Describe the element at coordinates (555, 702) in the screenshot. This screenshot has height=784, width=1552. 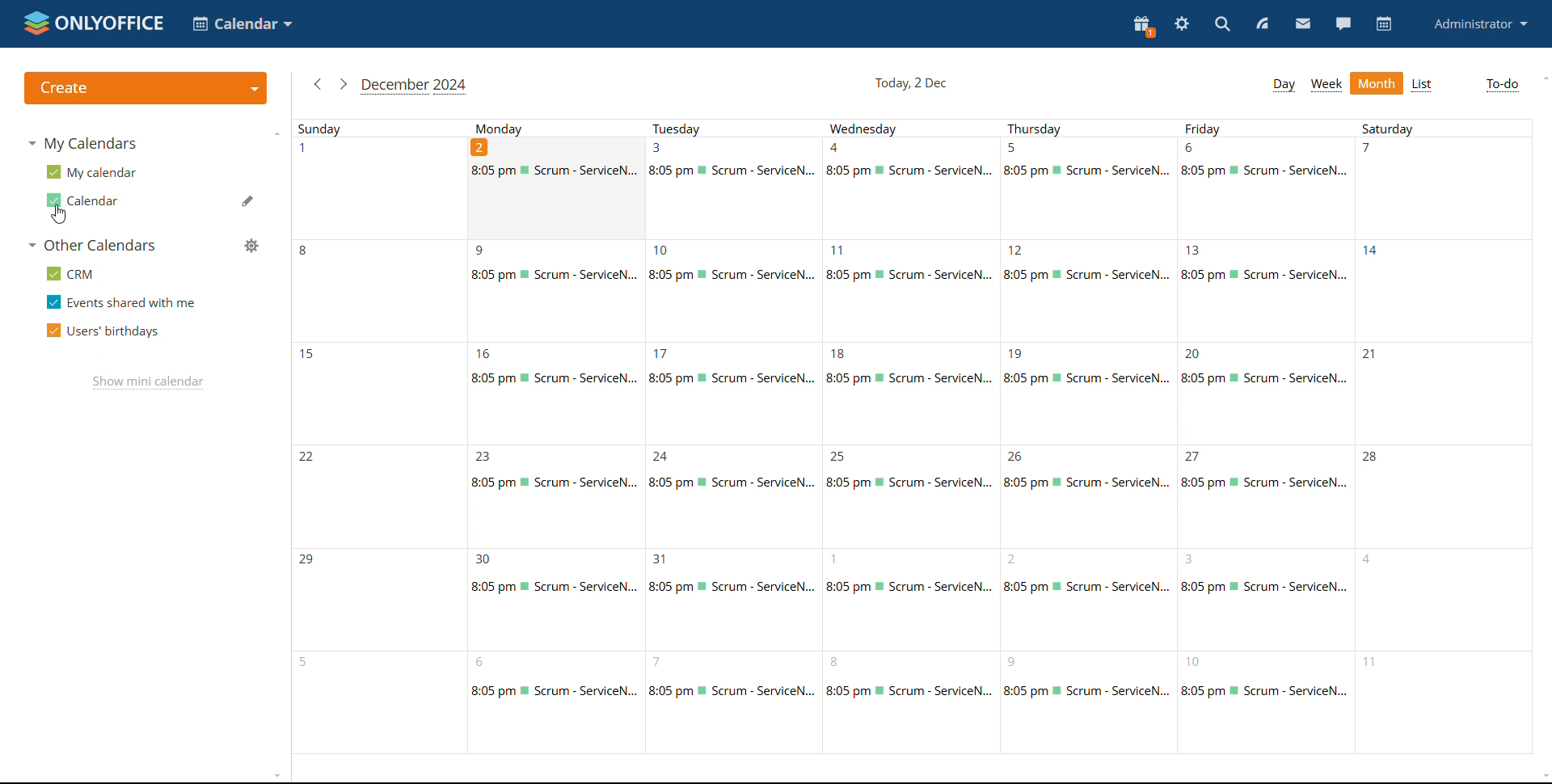
I see `6` at that location.